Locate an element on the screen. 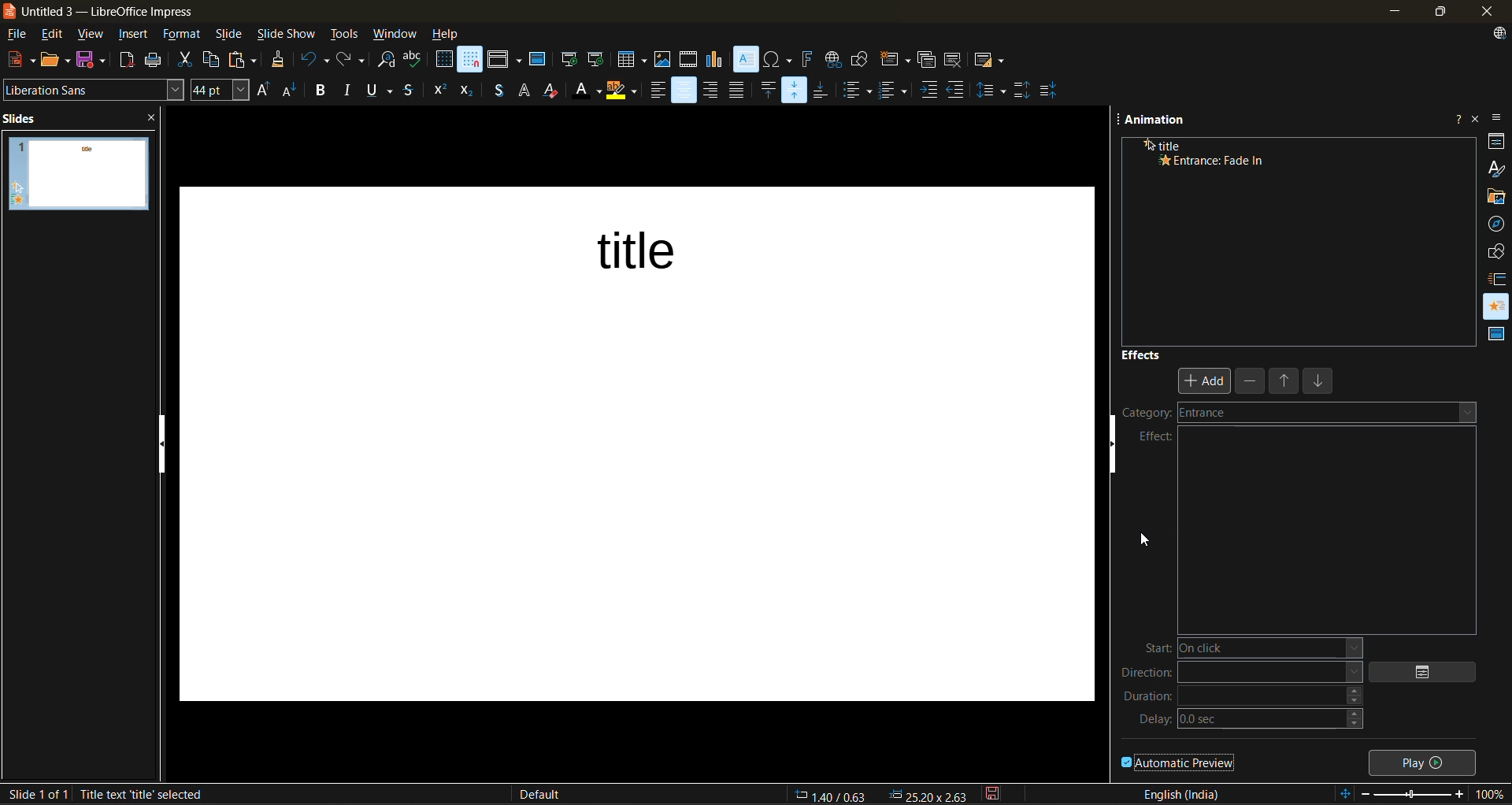 The height and width of the screenshot is (805, 1512). move up is located at coordinates (1286, 384).